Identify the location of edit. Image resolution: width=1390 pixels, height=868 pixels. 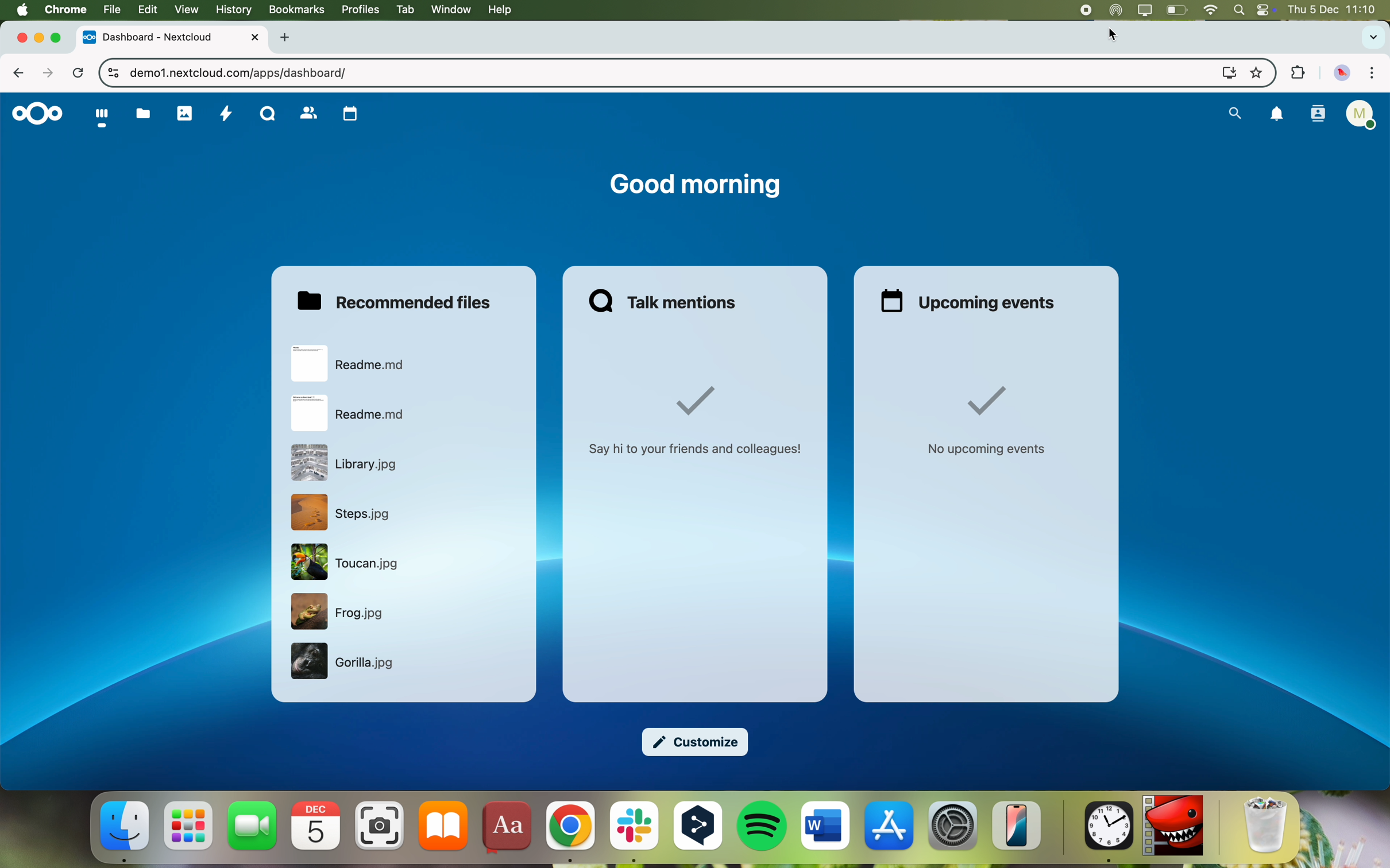
(146, 10).